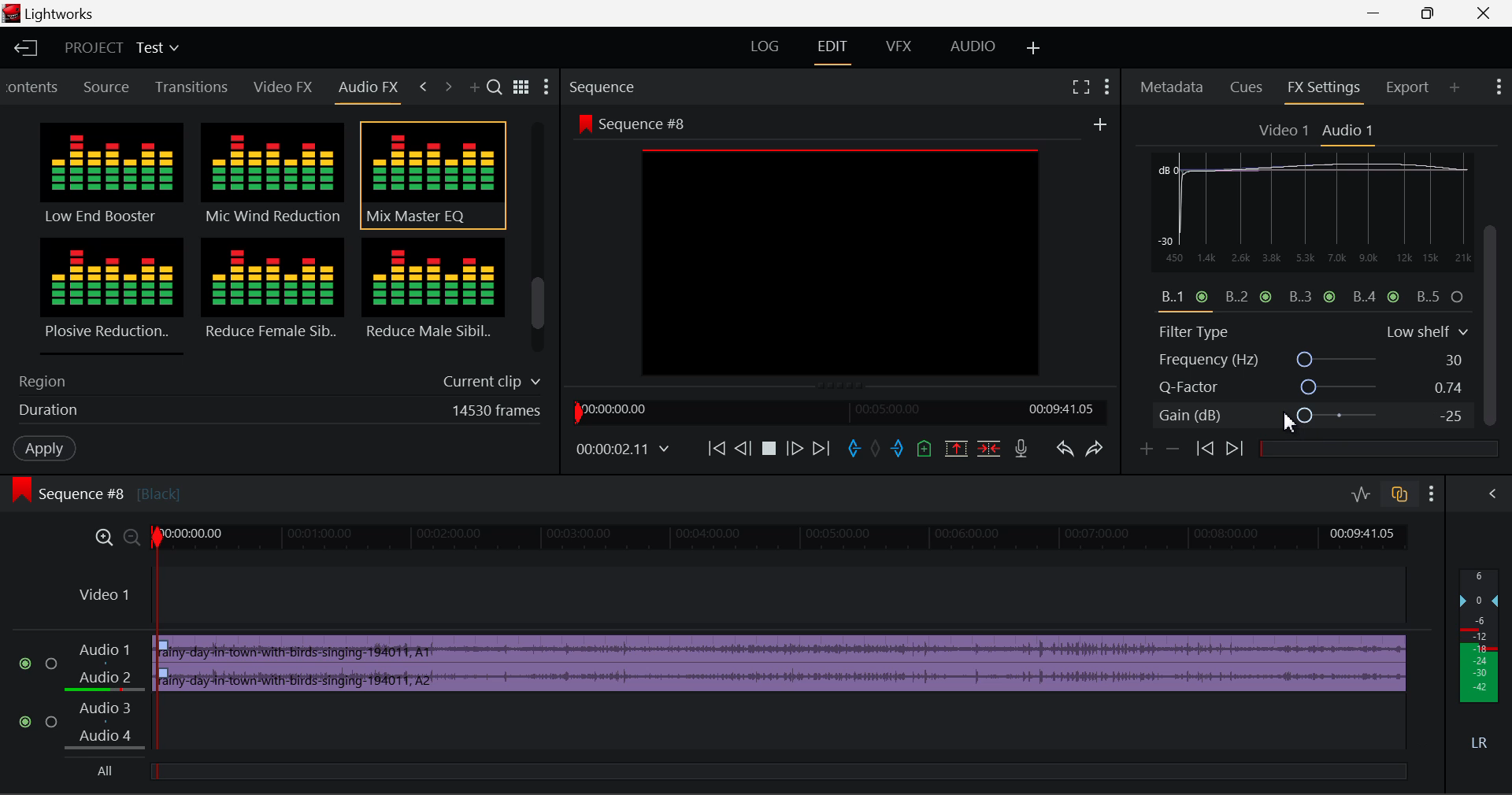 The height and width of the screenshot is (795, 1512). What do you see at coordinates (1314, 388) in the screenshot?
I see `Q-Factor` at bounding box center [1314, 388].